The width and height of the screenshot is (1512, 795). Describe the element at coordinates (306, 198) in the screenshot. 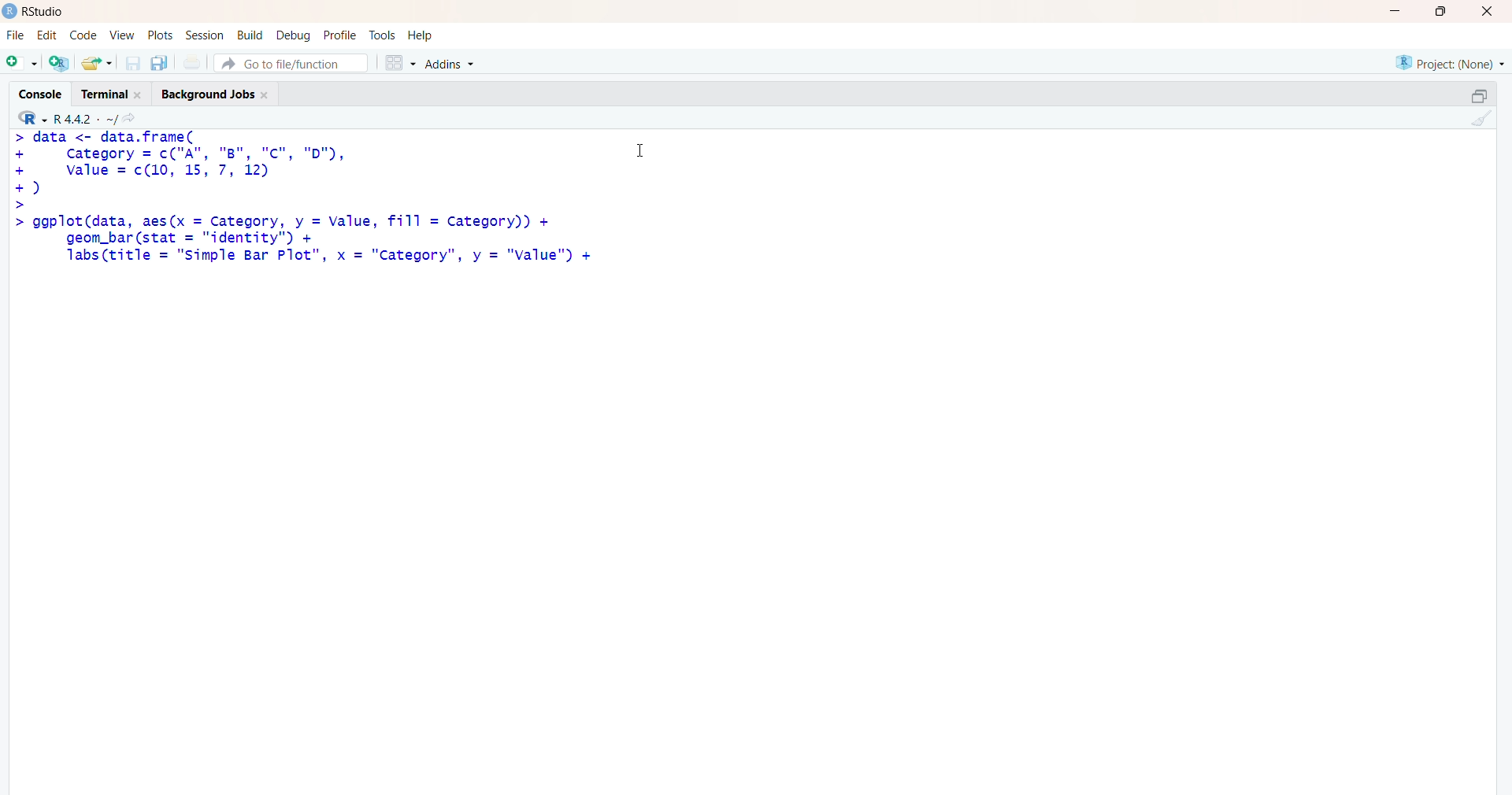

I see `code - > data <- data.frame(+ category = c("A", "B", "Cc", "D"),+ value = c(10 12)© asic>> ggplot(data, aes(x = Category, y = Value, fill = category))` at that location.